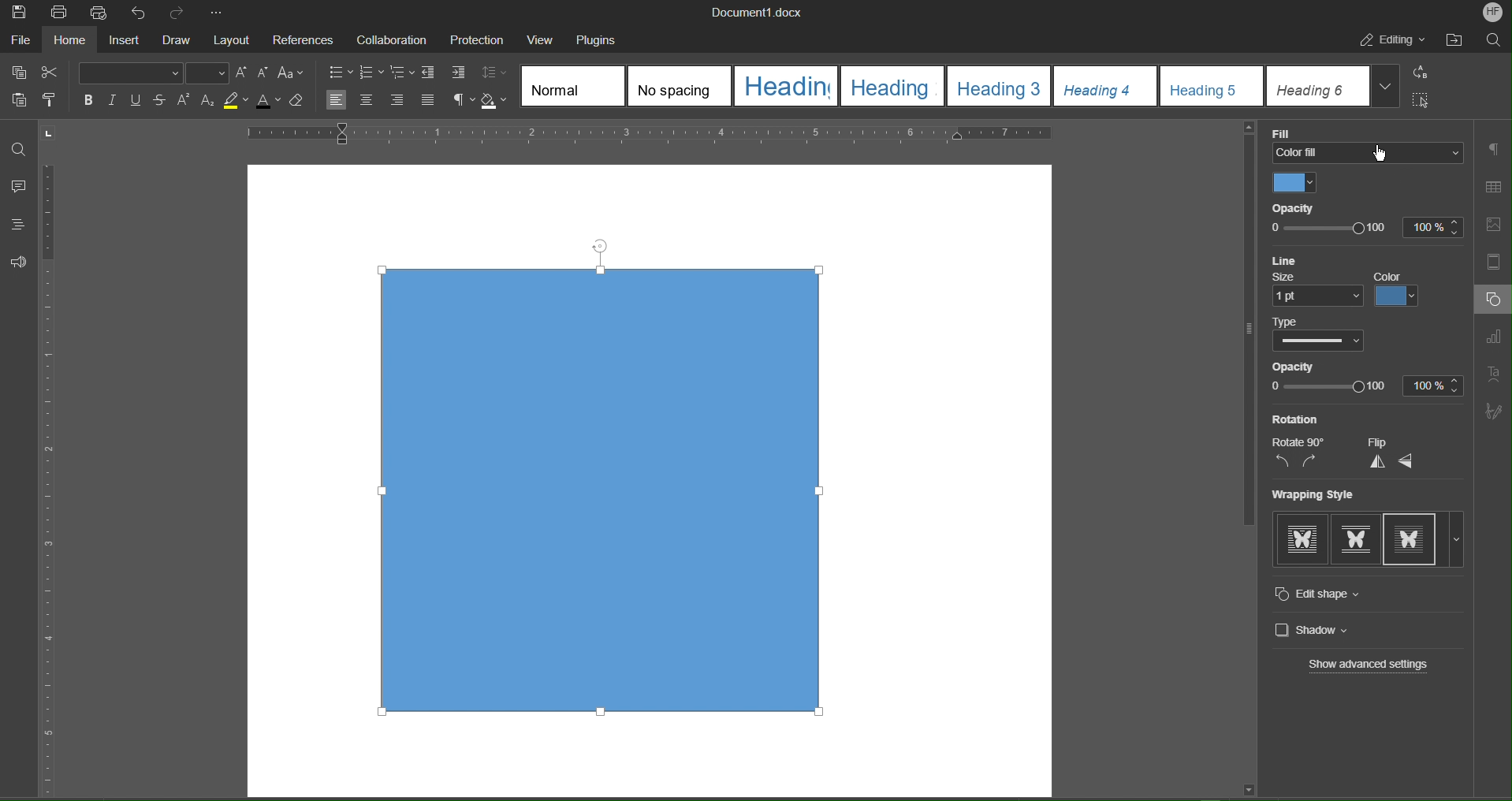 Image resolution: width=1512 pixels, height=801 pixels. What do you see at coordinates (1391, 42) in the screenshot?
I see `Editing` at bounding box center [1391, 42].